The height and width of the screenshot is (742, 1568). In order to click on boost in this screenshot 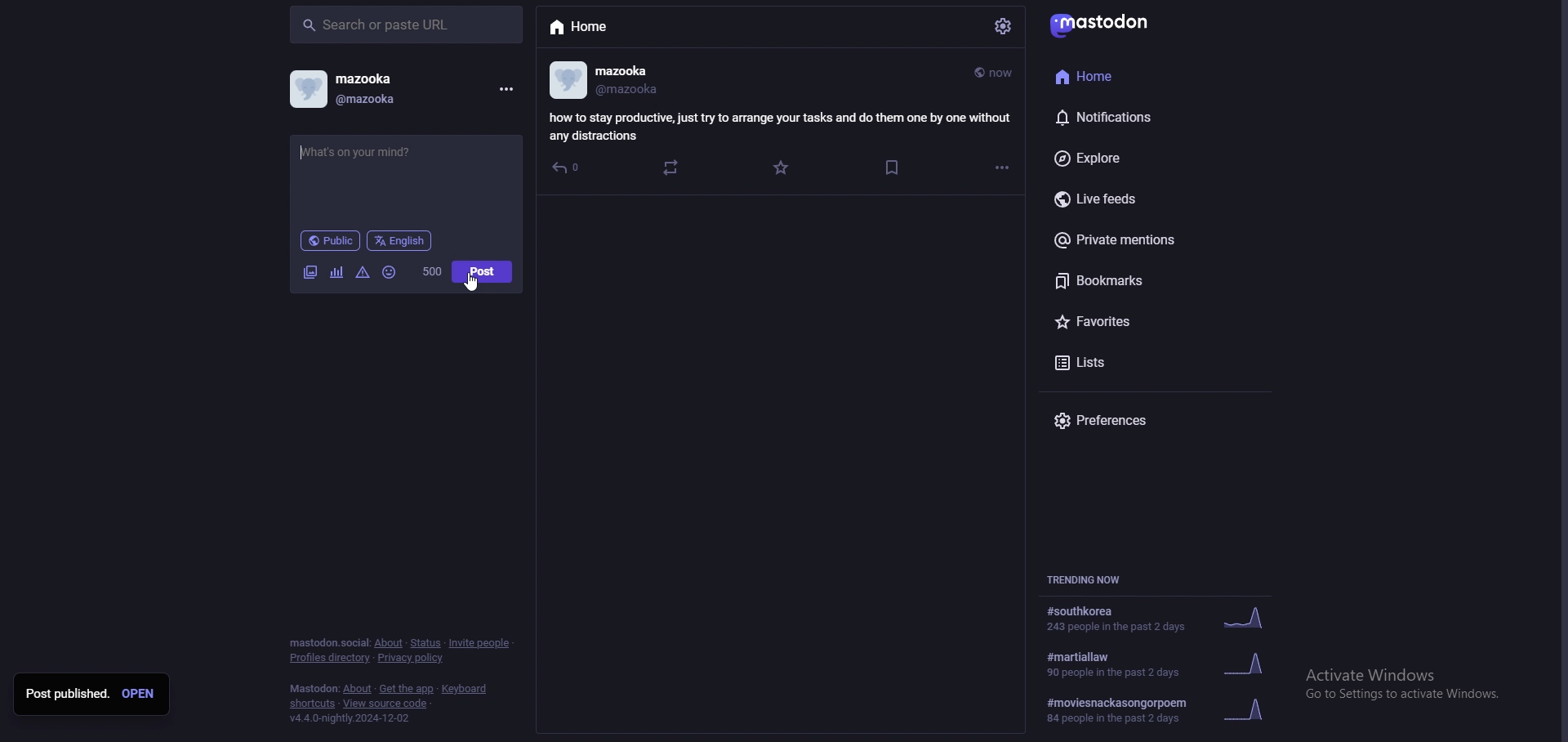, I will do `click(673, 170)`.